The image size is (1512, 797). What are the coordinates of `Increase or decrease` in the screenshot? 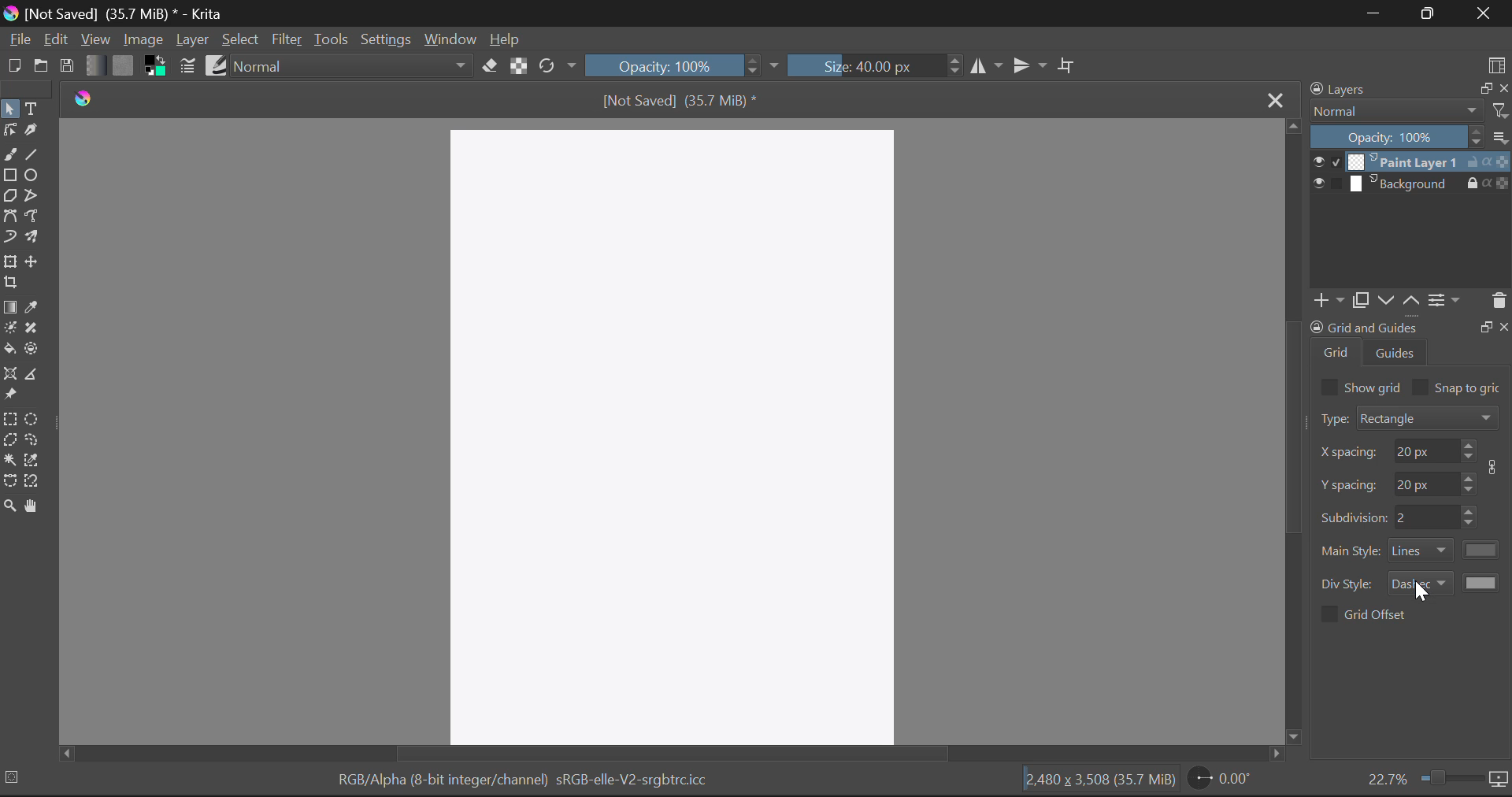 It's located at (1469, 482).